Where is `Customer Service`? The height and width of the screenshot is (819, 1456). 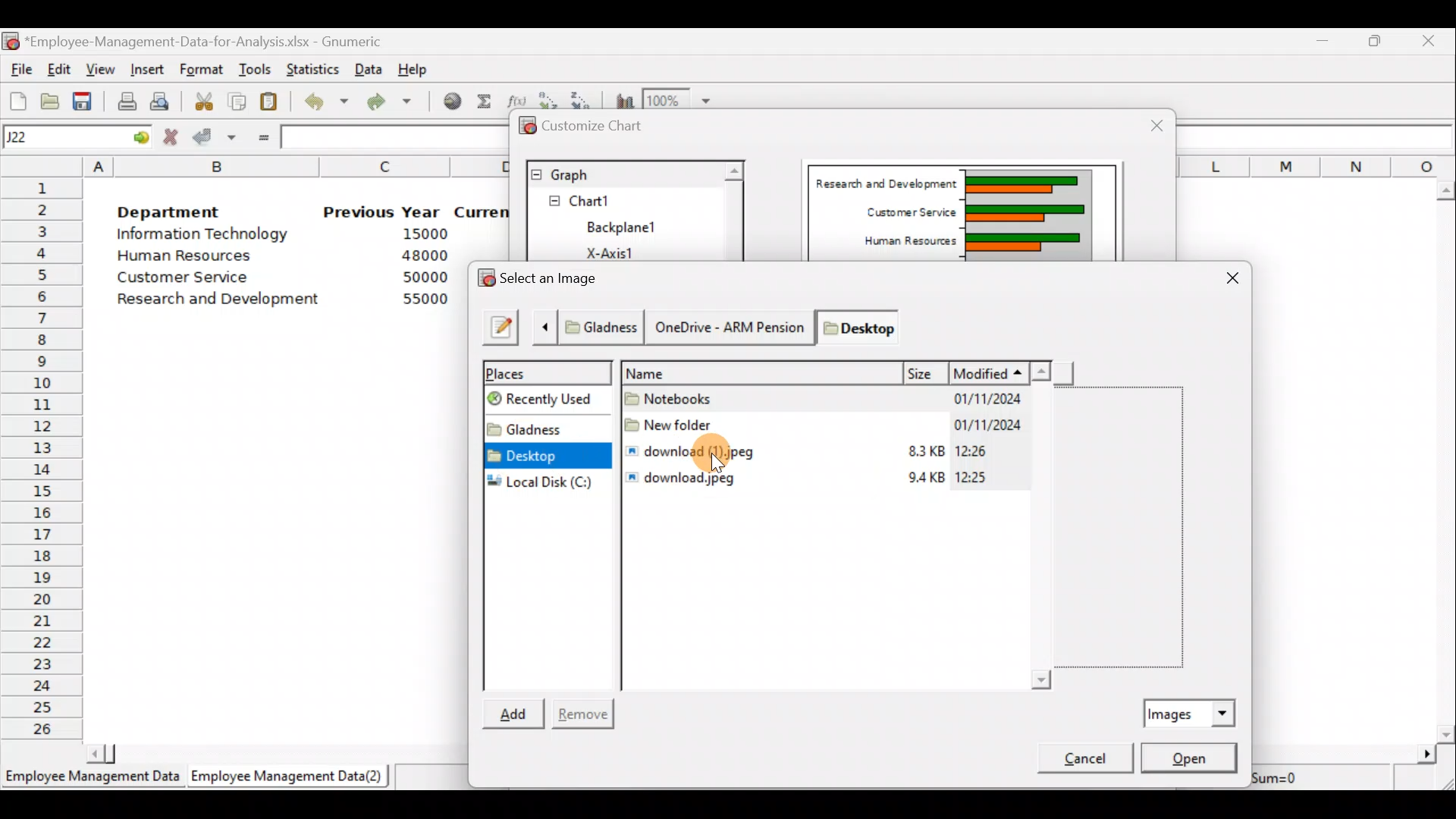 Customer Service is located at coordinates (176, 278).